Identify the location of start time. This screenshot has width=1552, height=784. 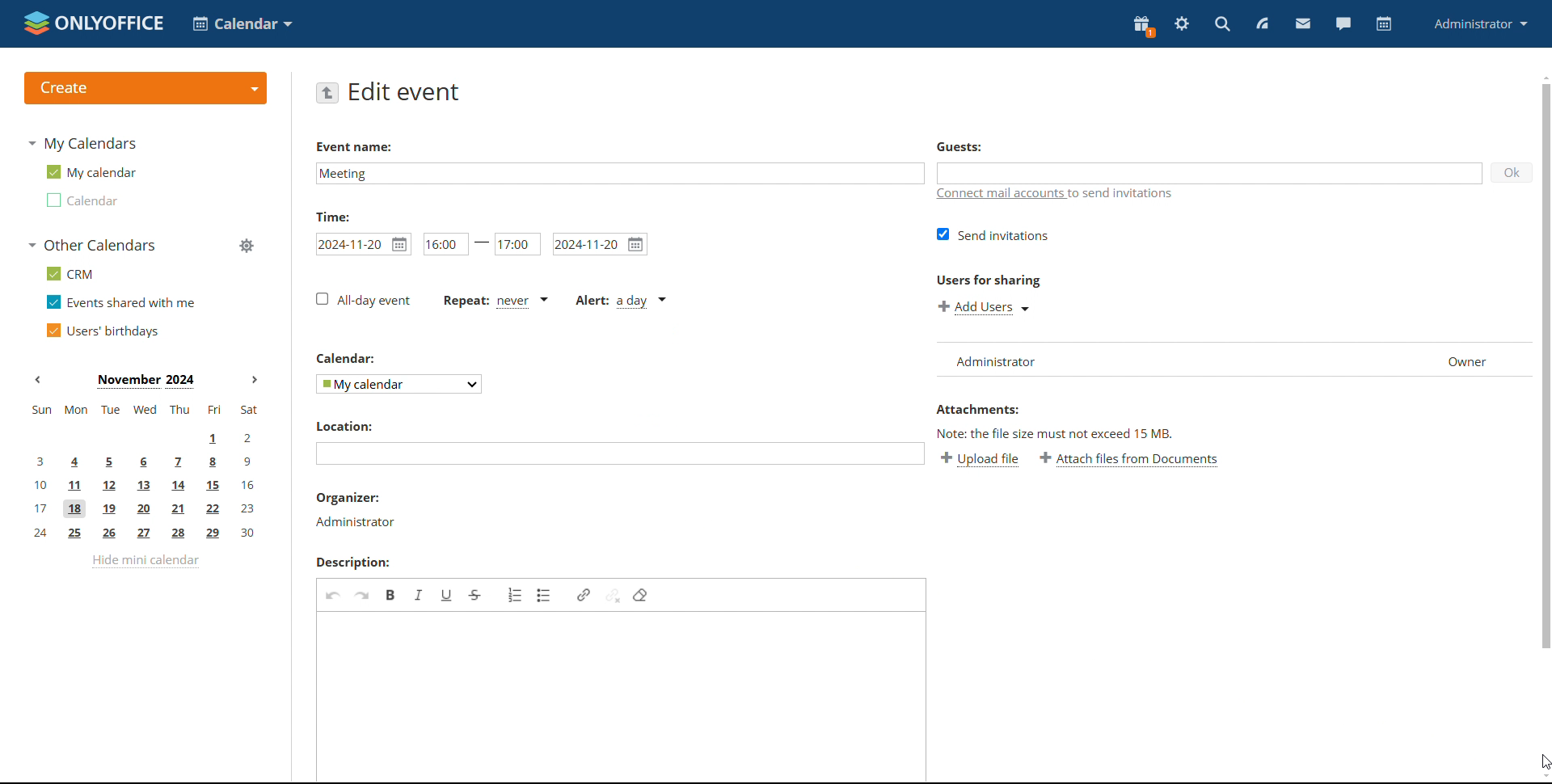
(456, 244).